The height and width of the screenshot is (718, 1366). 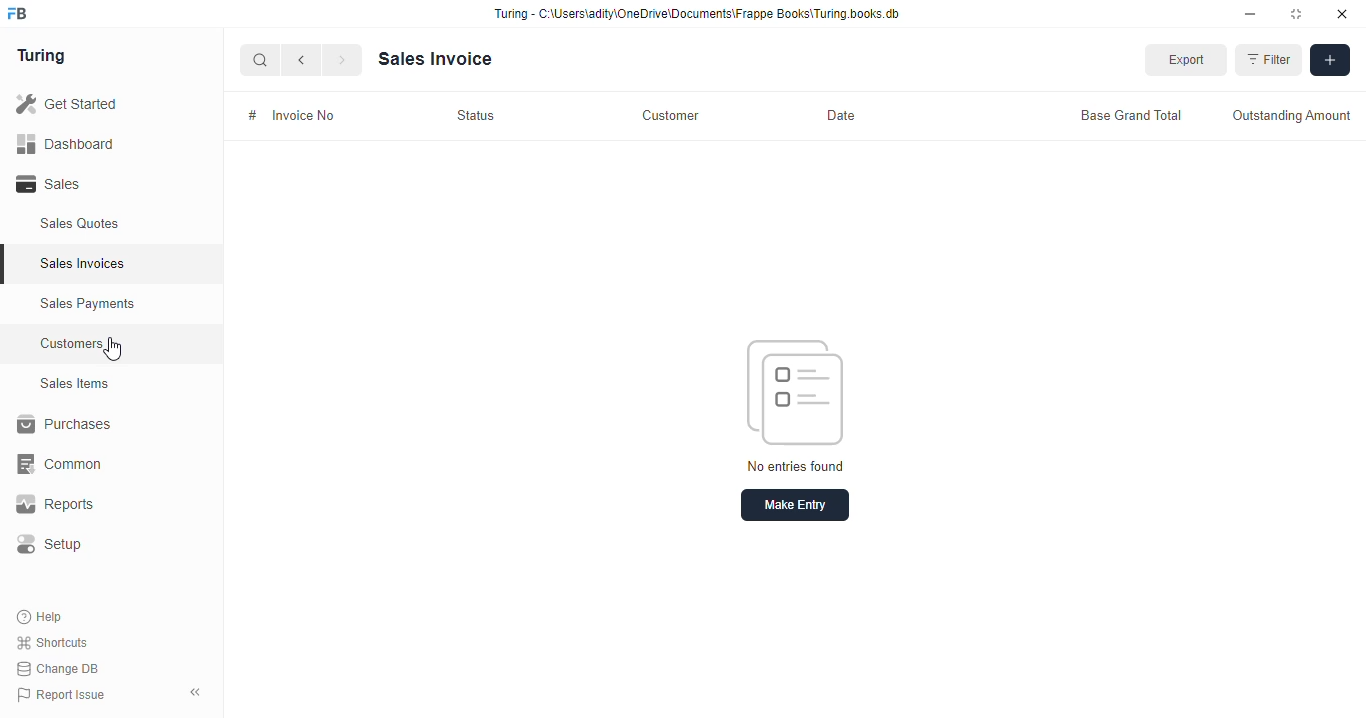 What do you see at coordinates (62, 668) in the screenshot?
I see `Change DB` at bounding box center [62, 668].